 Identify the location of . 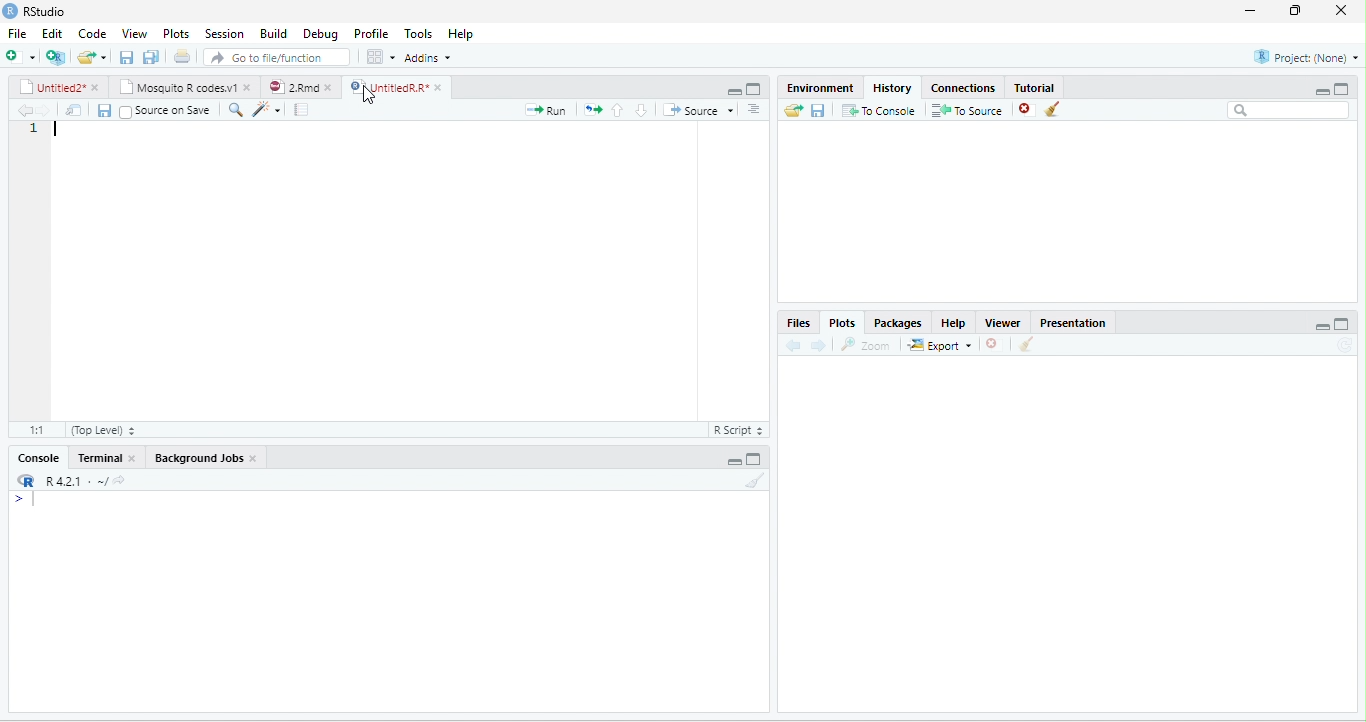
(153, 55).